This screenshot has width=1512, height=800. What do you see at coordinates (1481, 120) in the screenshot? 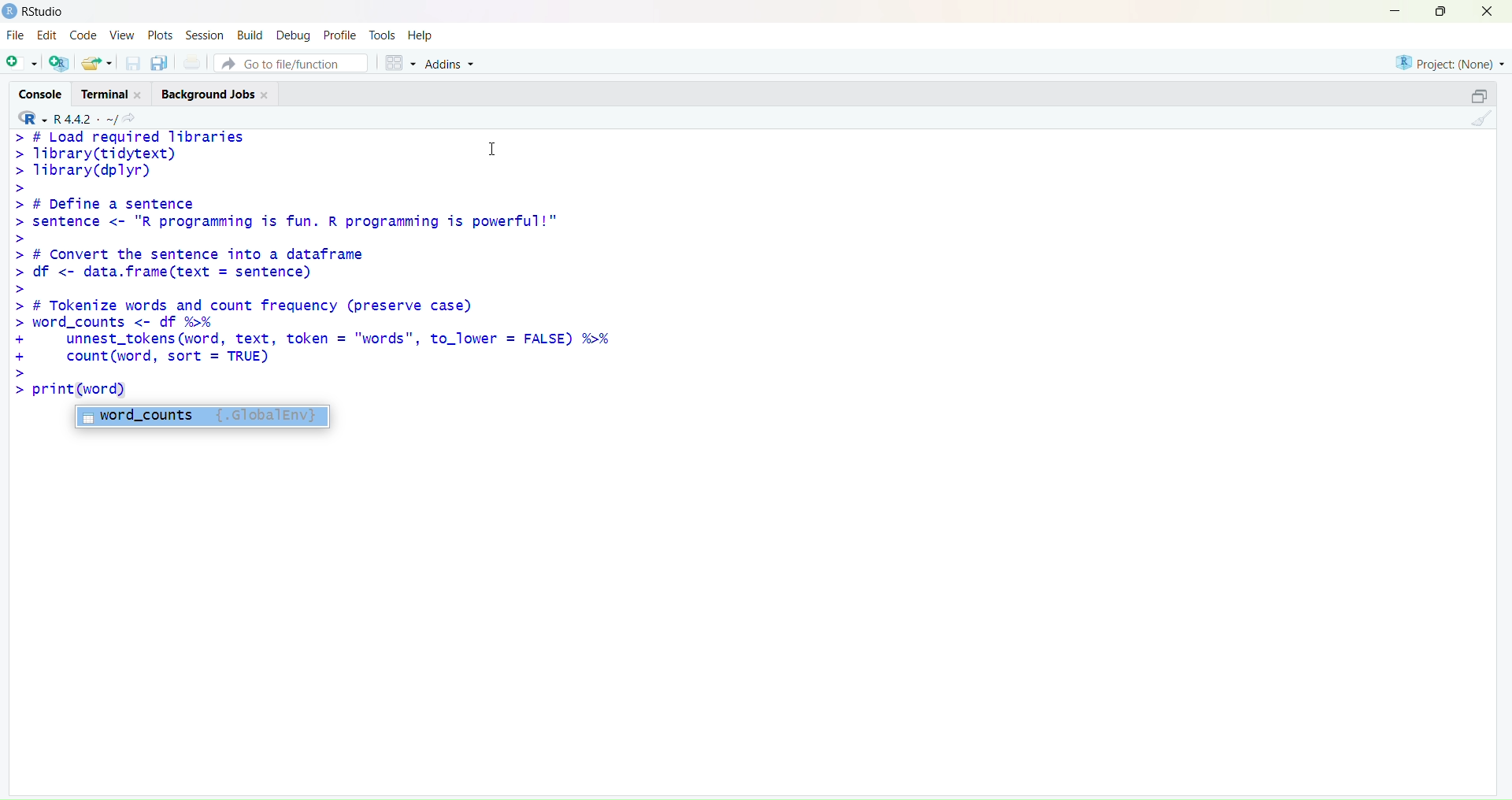
I see `clear console` at bounding box center [1481, 120].